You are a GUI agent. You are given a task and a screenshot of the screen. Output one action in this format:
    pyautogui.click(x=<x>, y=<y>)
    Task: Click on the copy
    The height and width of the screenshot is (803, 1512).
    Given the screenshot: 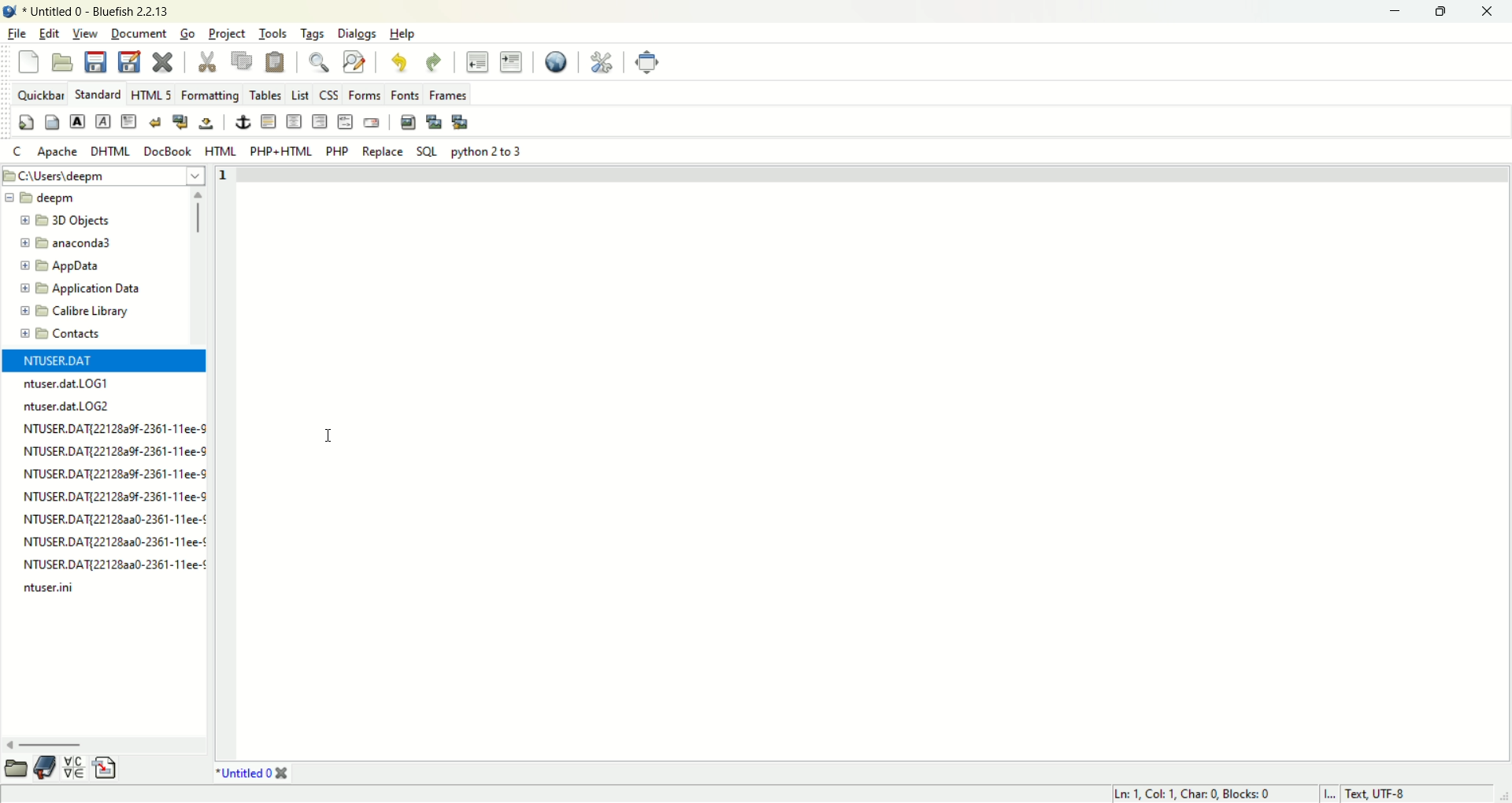 What is the action you would take?
    pyautogui.click(x=242, y=62)
    